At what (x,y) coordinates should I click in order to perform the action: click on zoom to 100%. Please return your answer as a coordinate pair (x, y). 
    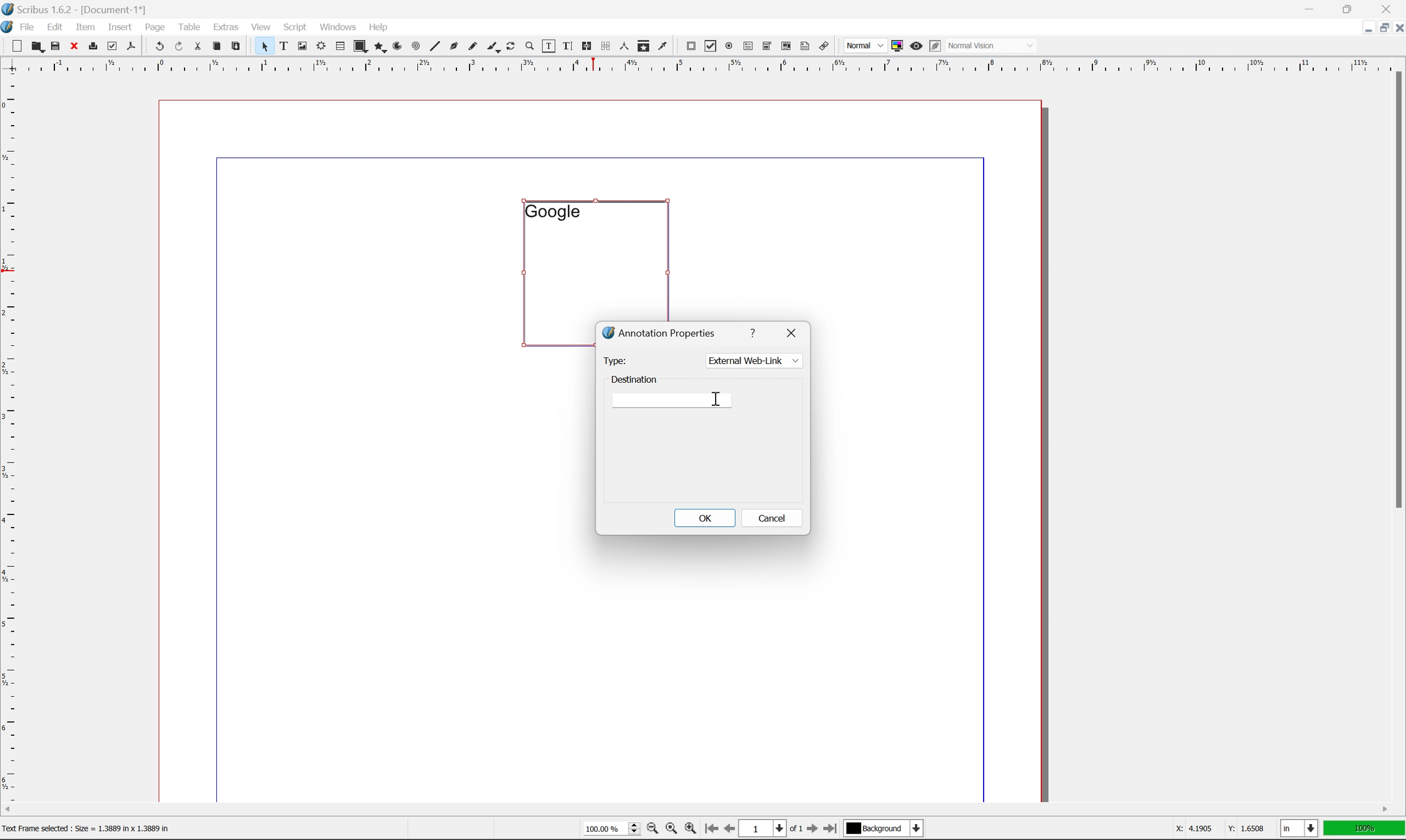
    Looking at the image, I should click on (670, 830).